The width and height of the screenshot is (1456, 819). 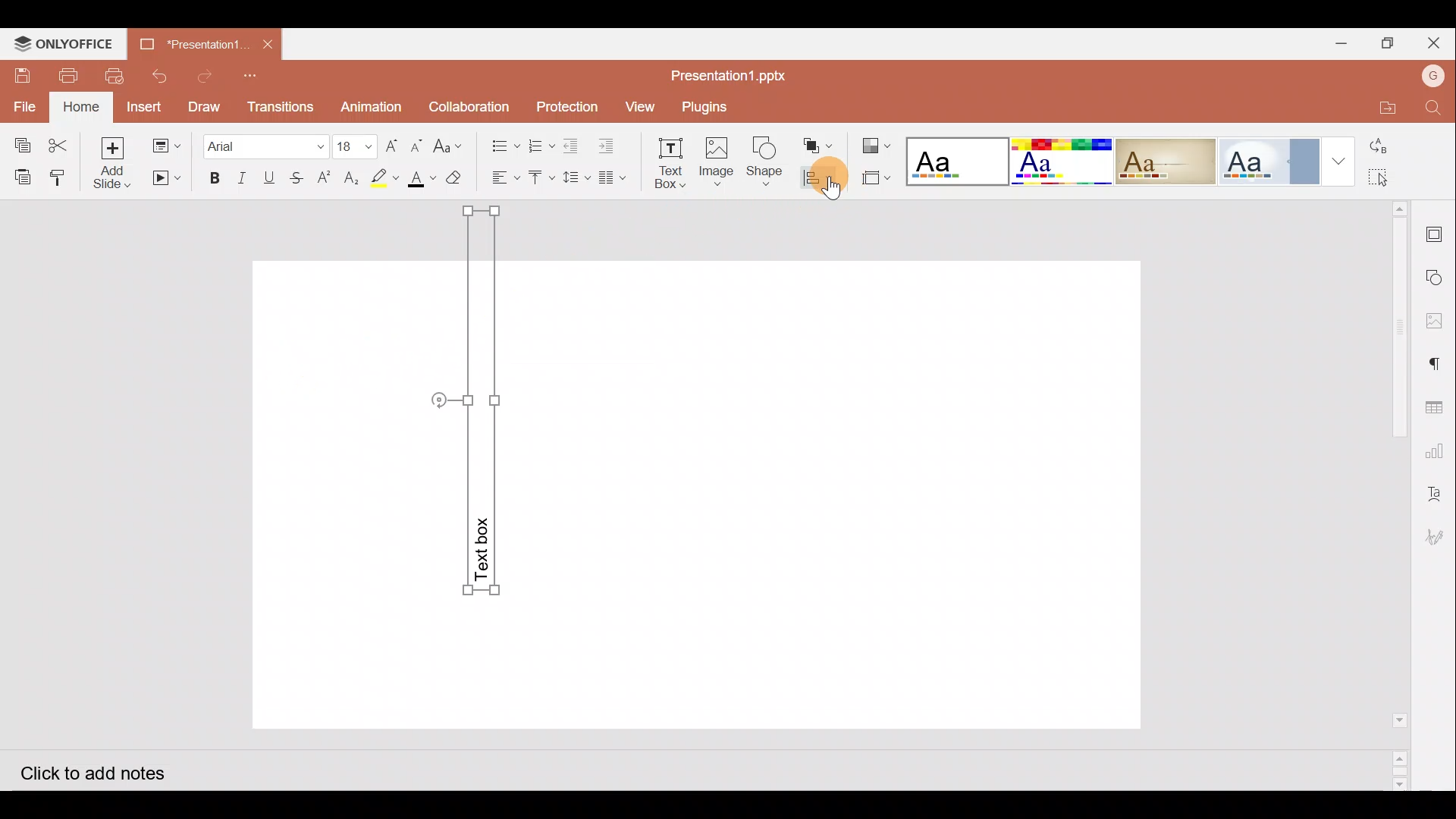 I want to click on Superscript, so click(x=328, y=179).